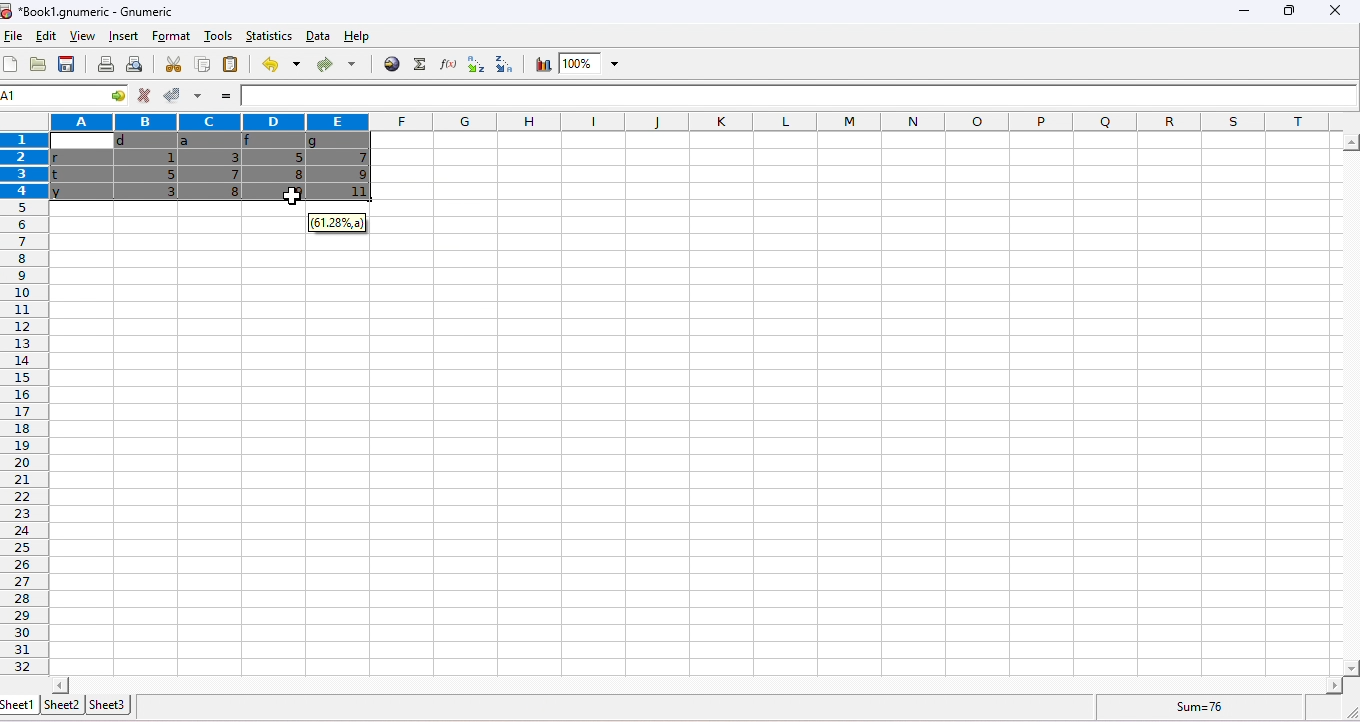 This screenshot has width=1360, height=722. I want to click on function, so click(417, 64).